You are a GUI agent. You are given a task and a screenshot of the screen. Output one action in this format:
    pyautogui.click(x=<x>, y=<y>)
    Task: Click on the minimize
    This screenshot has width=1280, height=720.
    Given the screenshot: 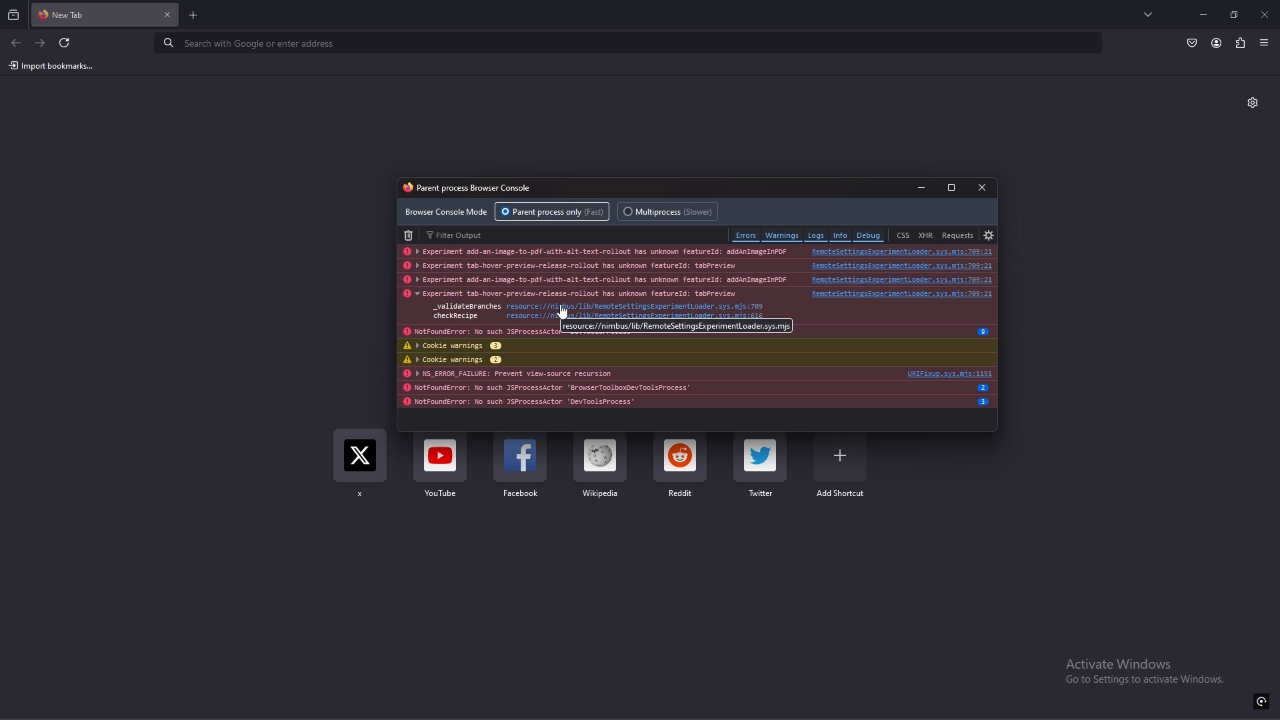 What is the action you would take?
    pyautogui.click(x=1204, y=14)
    